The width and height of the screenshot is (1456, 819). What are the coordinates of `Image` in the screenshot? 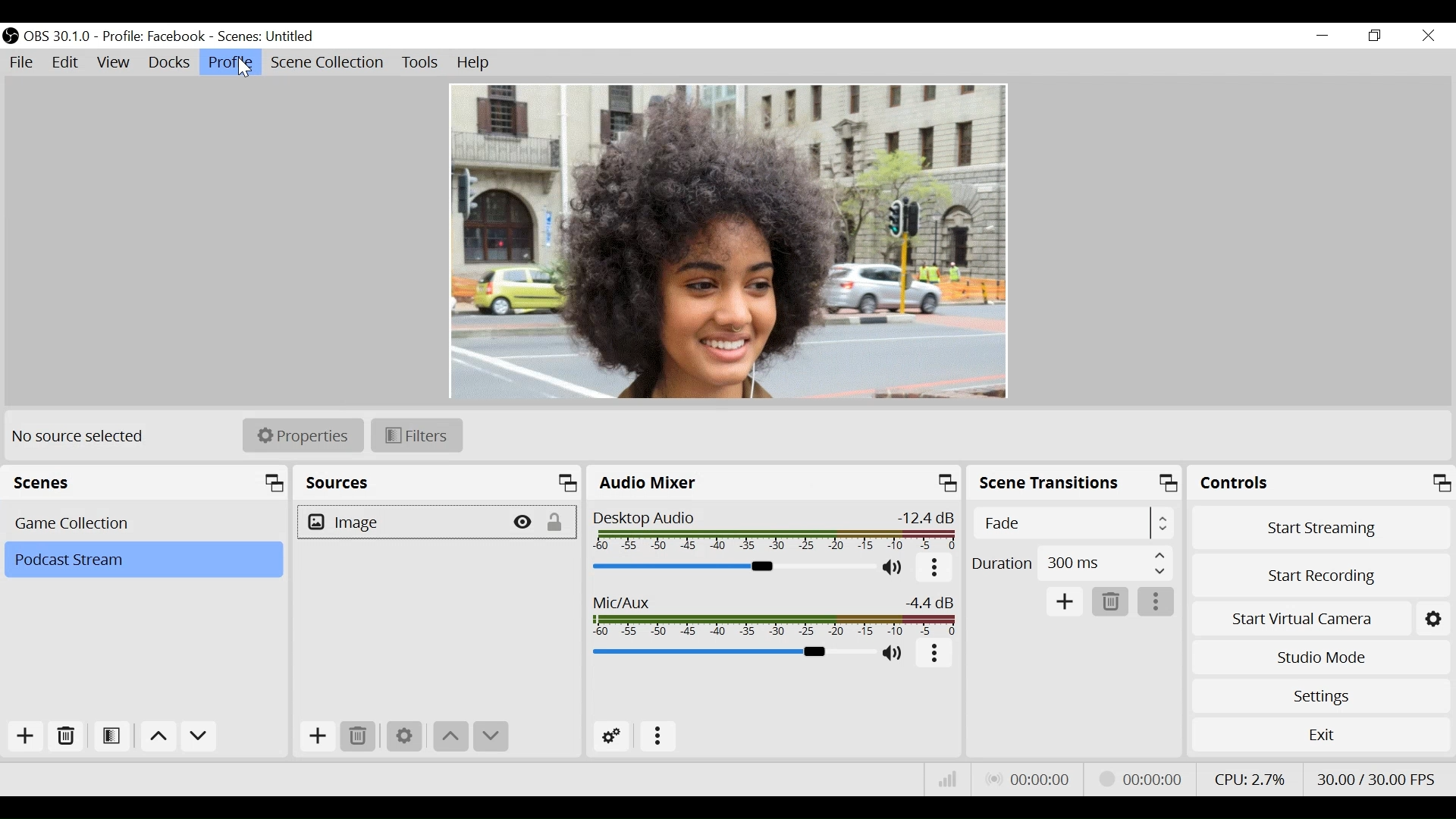 It's located at (402, 523).